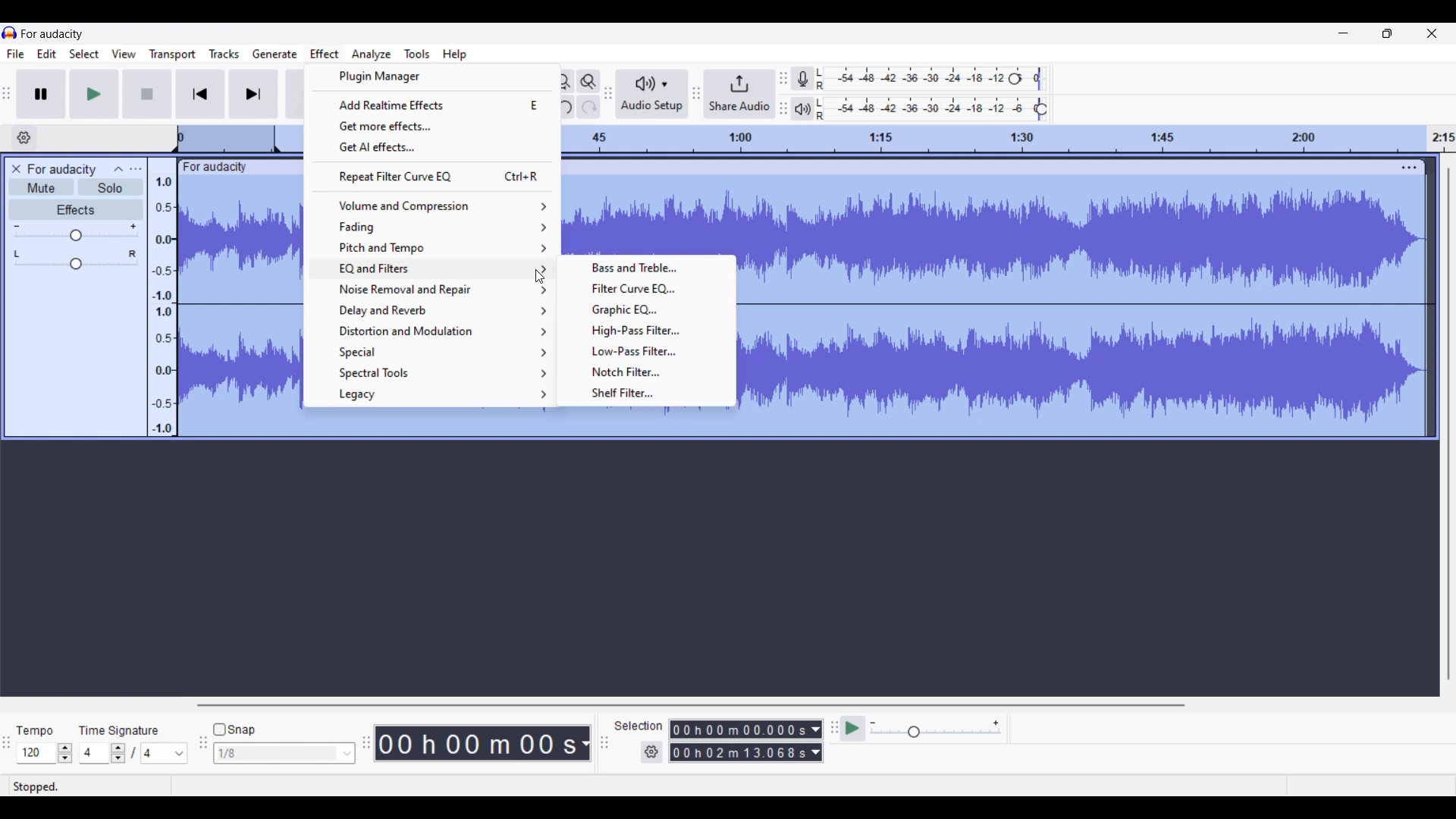  What do you see at coordinates (519, 424) in the screenshot?
I see `Track selected` at bounding box center [519, 424].